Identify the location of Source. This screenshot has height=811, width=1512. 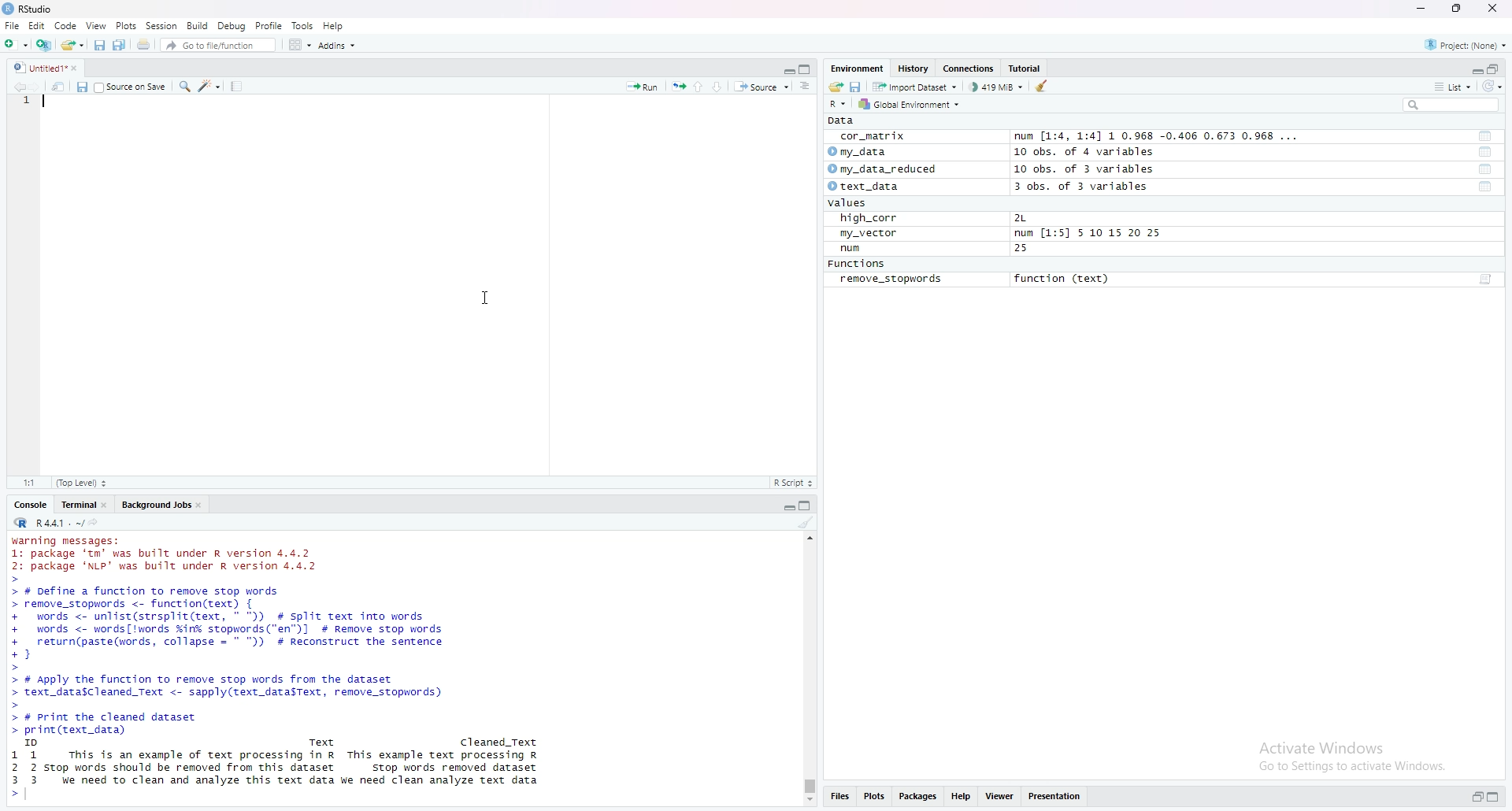
(759, 87).